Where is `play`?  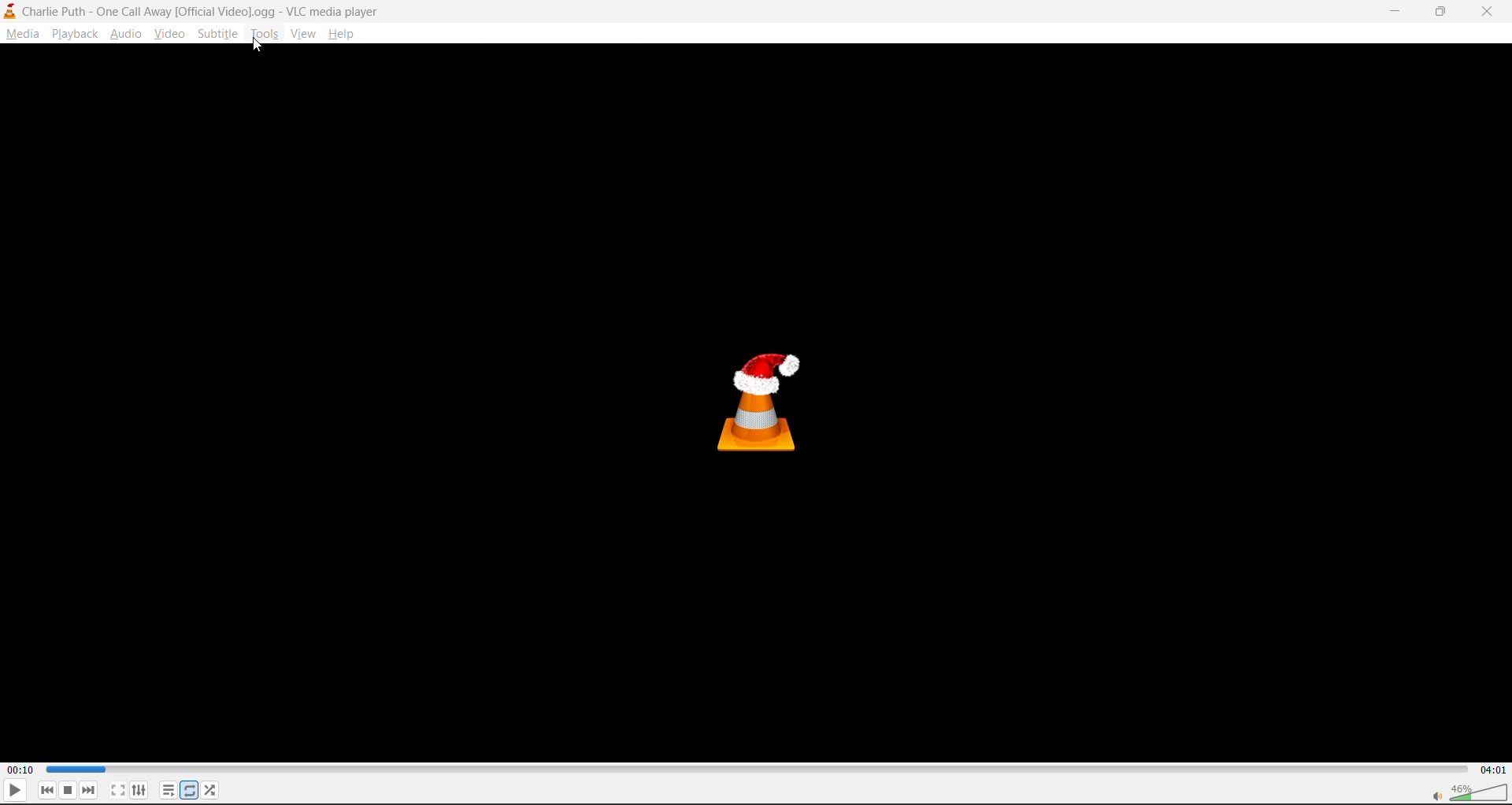 play is located at coordinates (15, 792).